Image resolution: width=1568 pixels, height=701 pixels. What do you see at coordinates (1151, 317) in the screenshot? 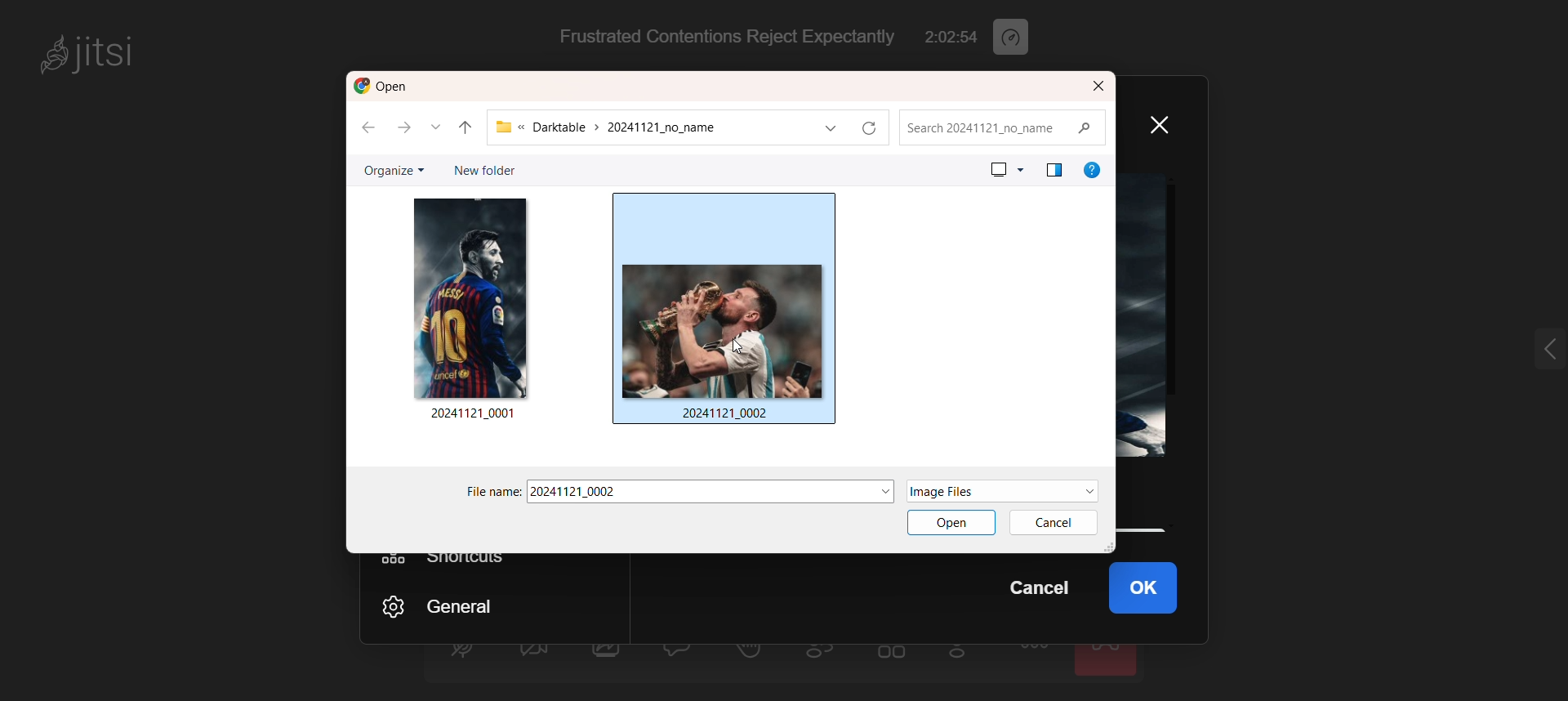
I see `current virtual background` at bounding box center [1151, 317].